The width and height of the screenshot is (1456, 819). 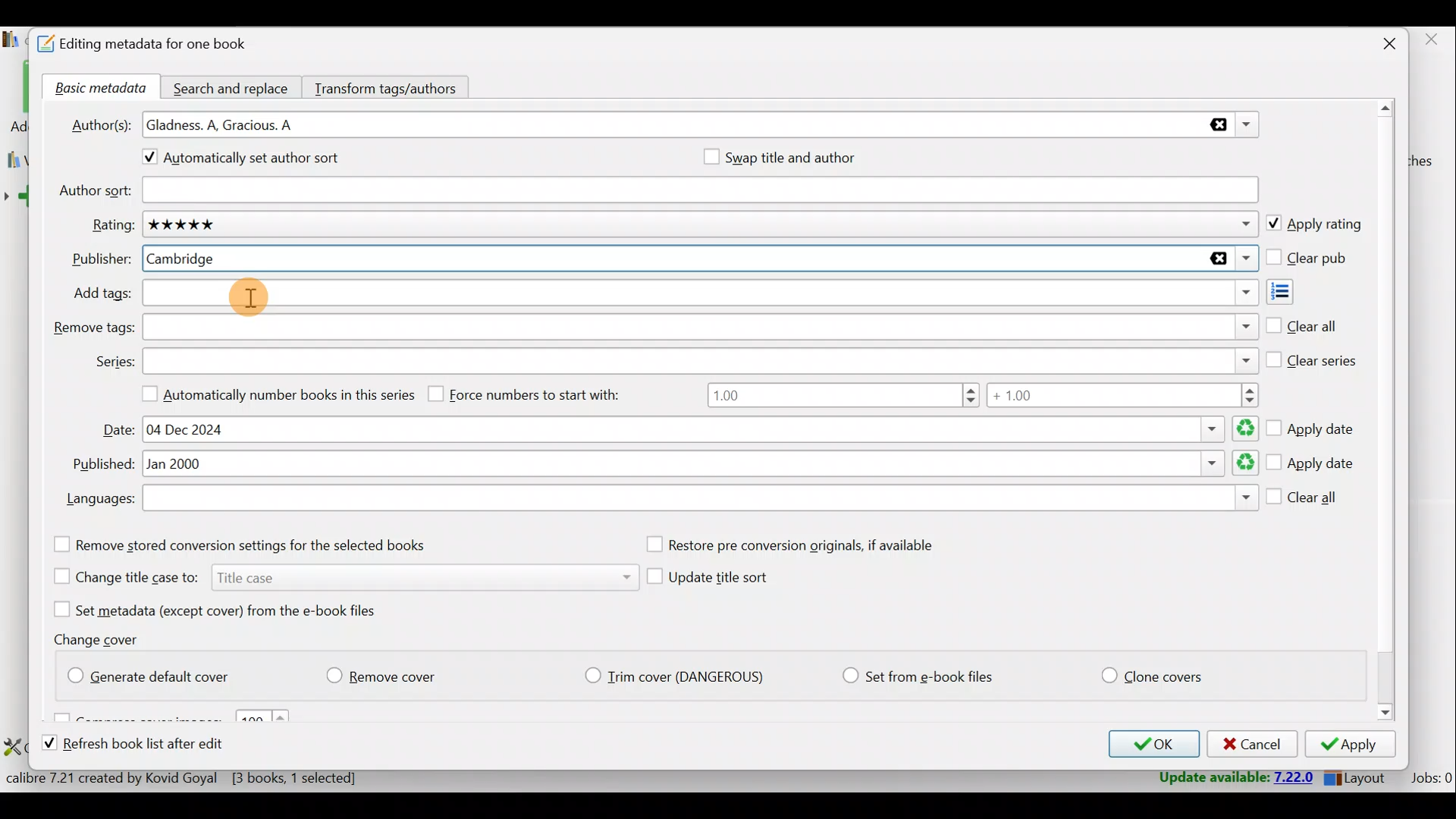 What do you see at coordinates (260, 544) in the screenshot?
I see `Remove stored conversion settings for the selected books` at bounding box center [260, 544].